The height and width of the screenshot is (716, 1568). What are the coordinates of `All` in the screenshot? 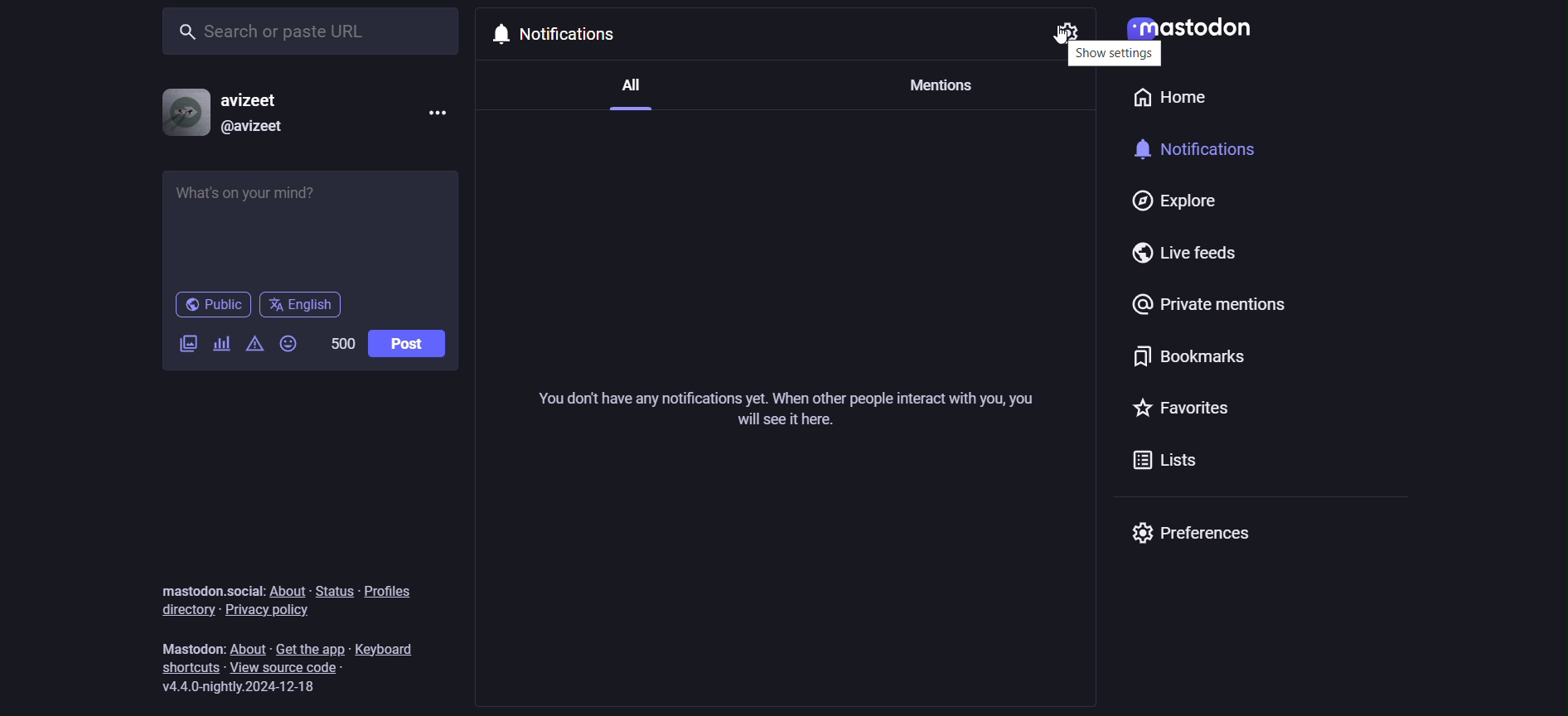 It's located at (627, 91).